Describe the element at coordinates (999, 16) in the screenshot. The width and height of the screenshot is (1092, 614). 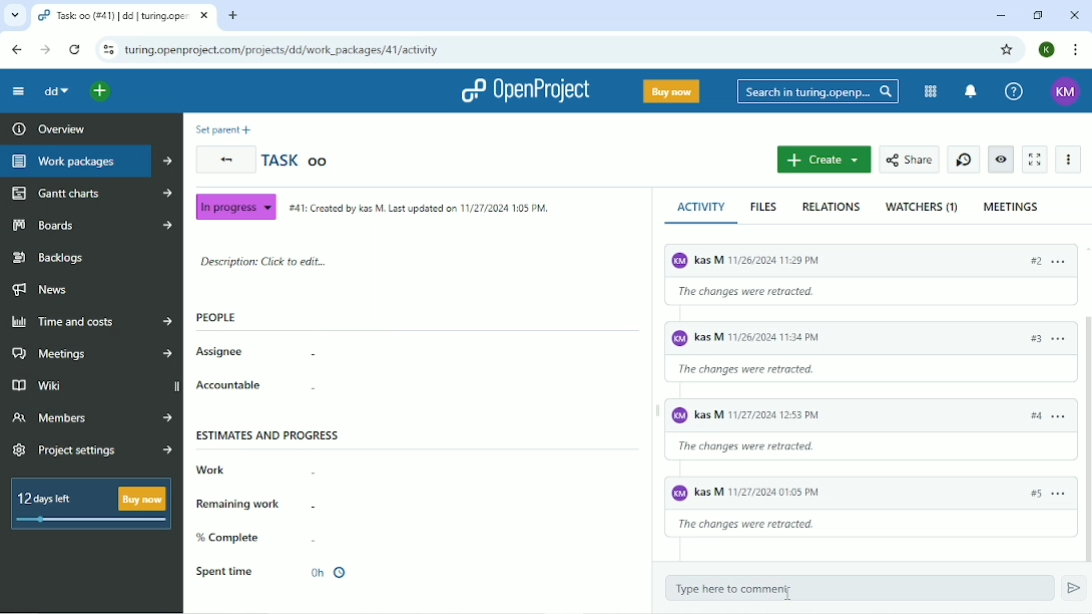
I see `Minimize` at that location.